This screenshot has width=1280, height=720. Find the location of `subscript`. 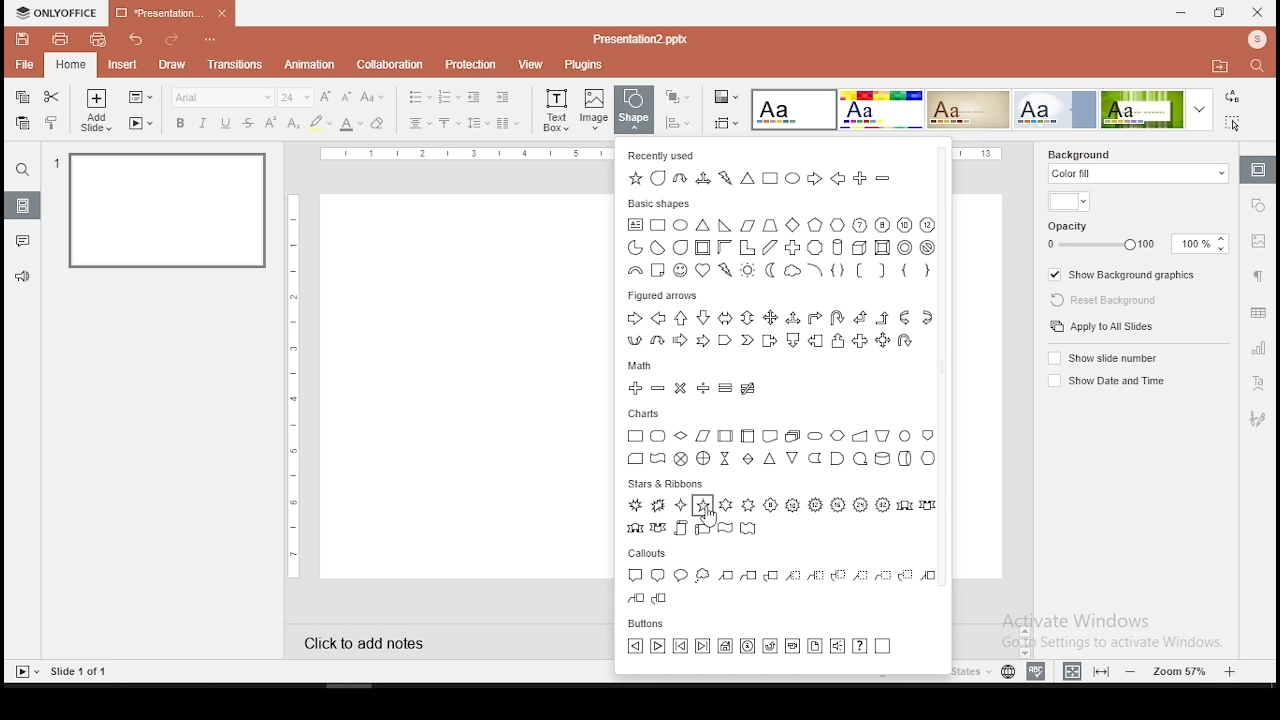

subscript is located at coordinates (293, 123).